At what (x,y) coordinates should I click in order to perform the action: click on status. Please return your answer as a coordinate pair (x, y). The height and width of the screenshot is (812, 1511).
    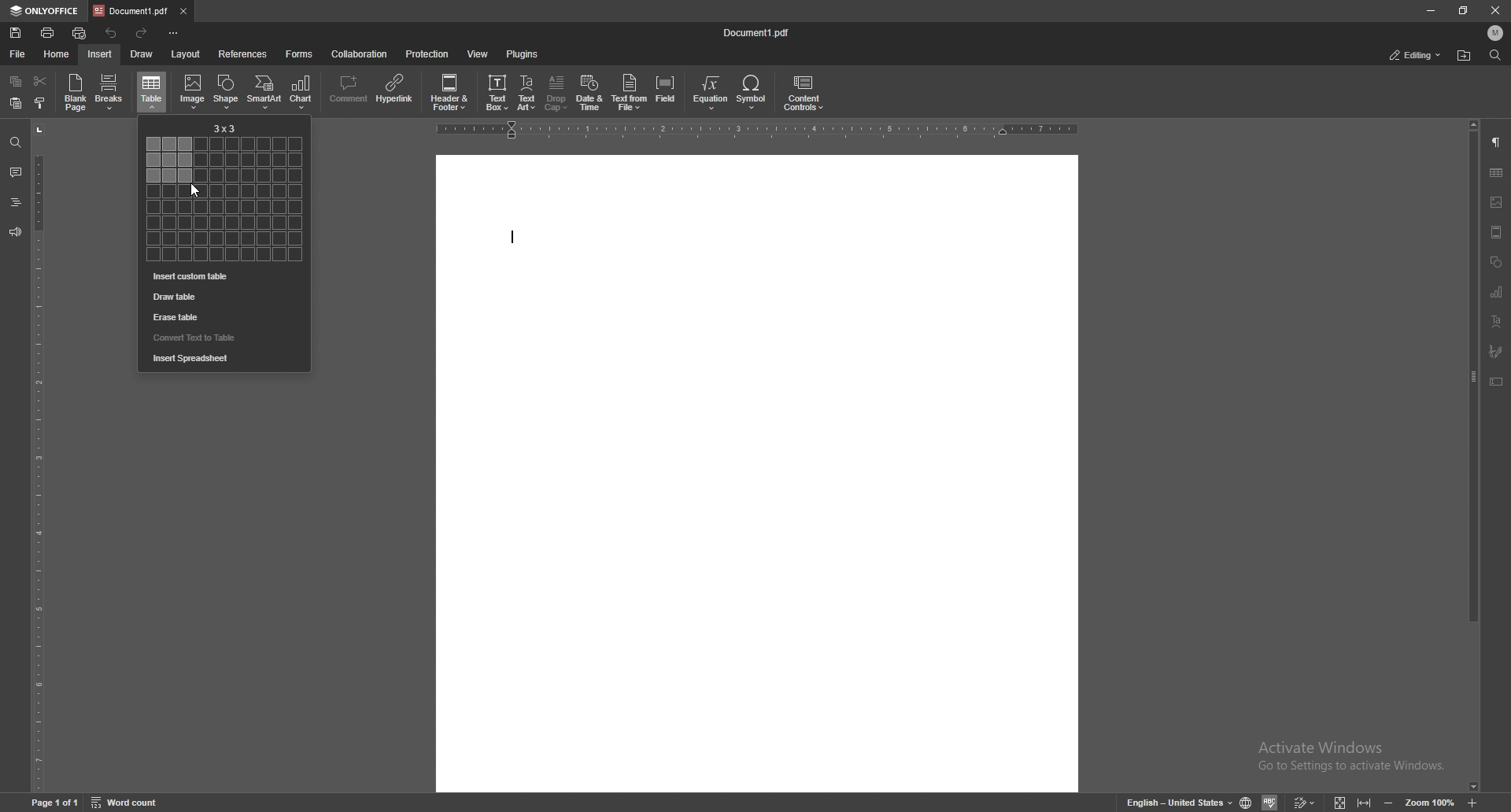
    Looking at the image, I should click on (1417, 55).